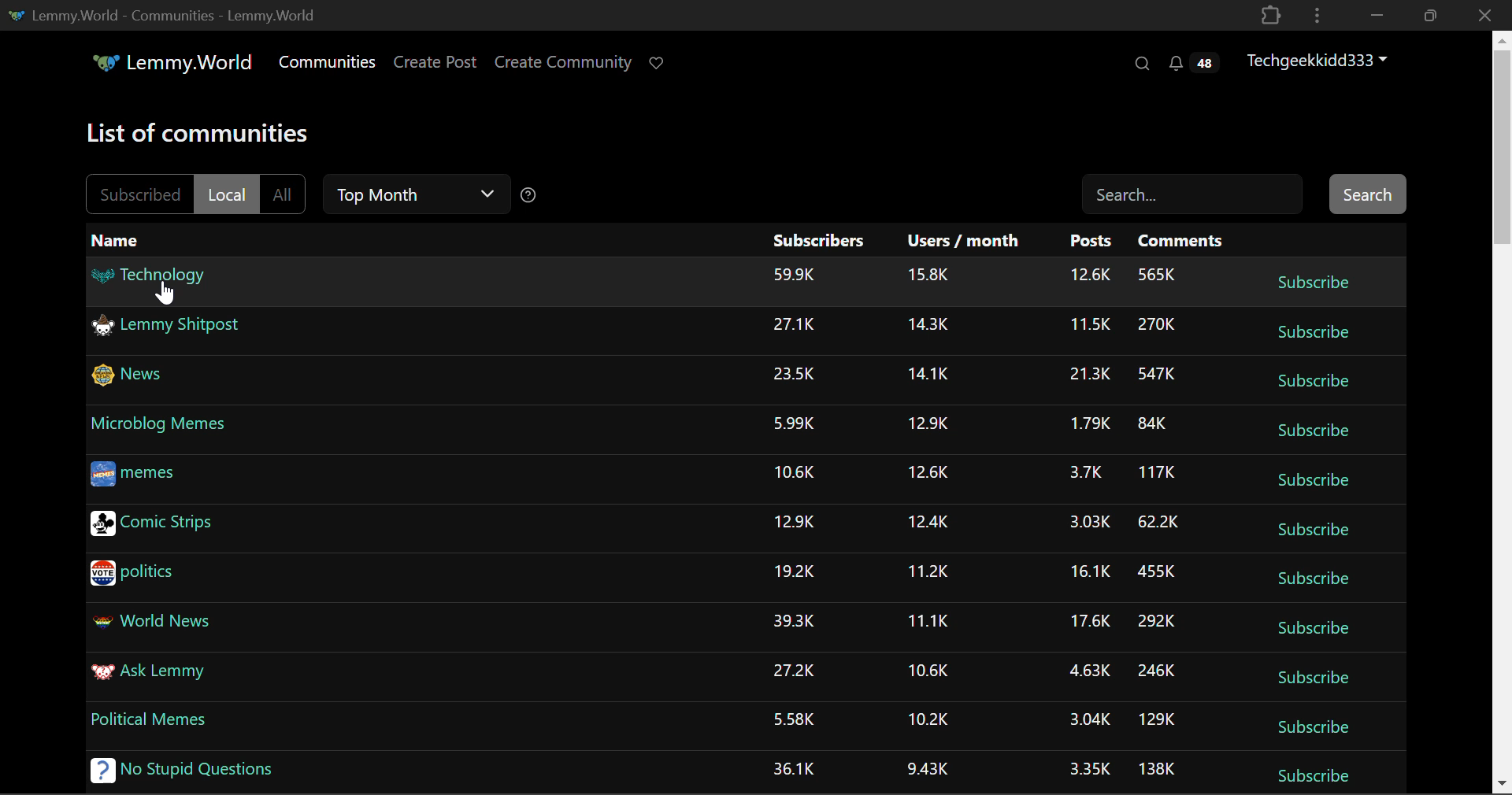  I want to click on Application Options Menu, so click(1317, 14).